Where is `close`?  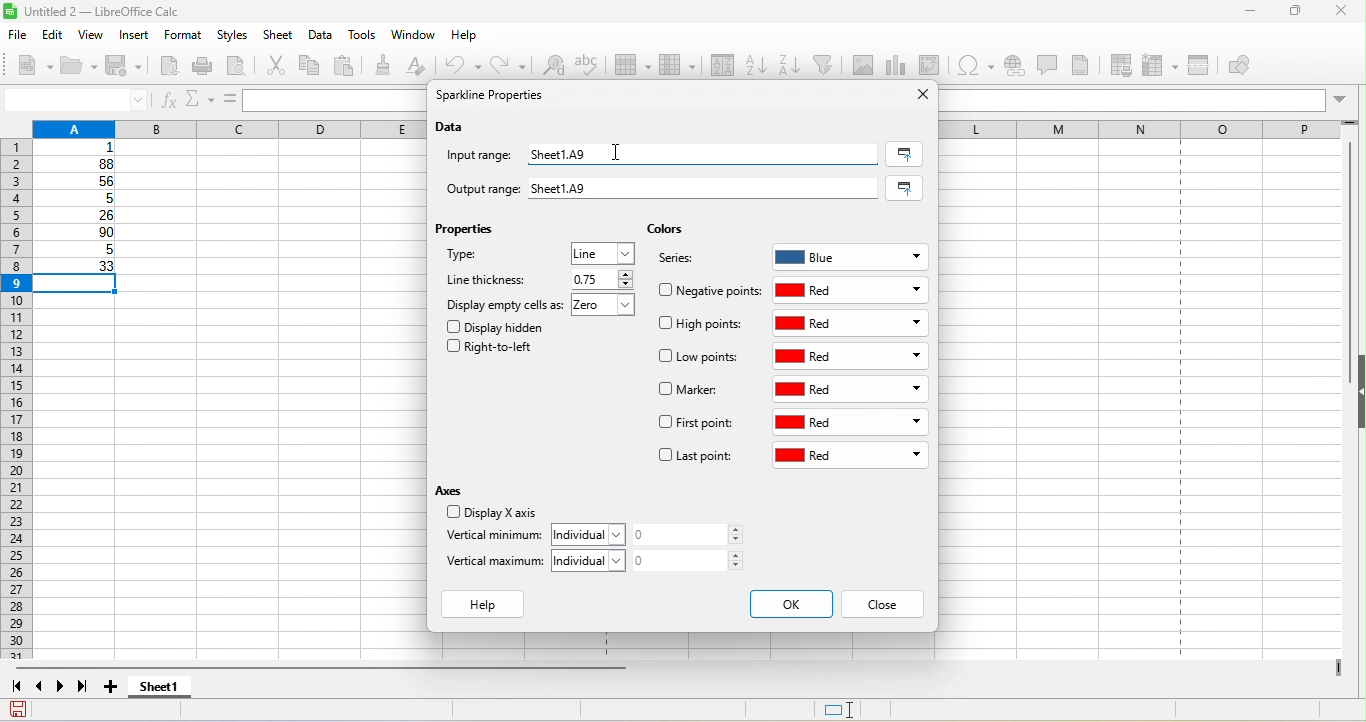
close is located at coordinates (1342, 13).